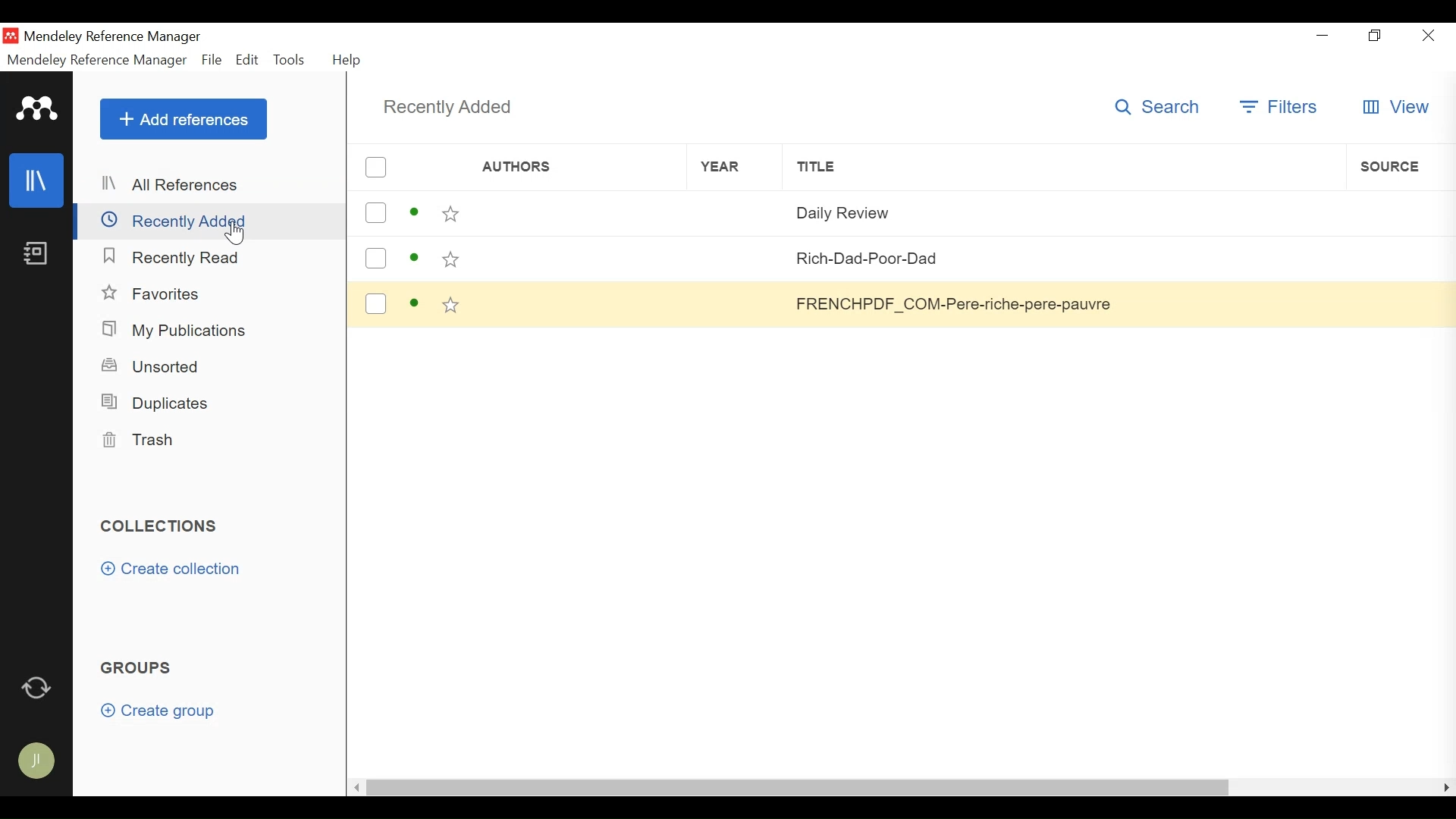 Image resolution: width=1456 pixels, height=819 pixels. Describe the element at coordinates (545, 167) in the screenshot. I see `Author` at that location.